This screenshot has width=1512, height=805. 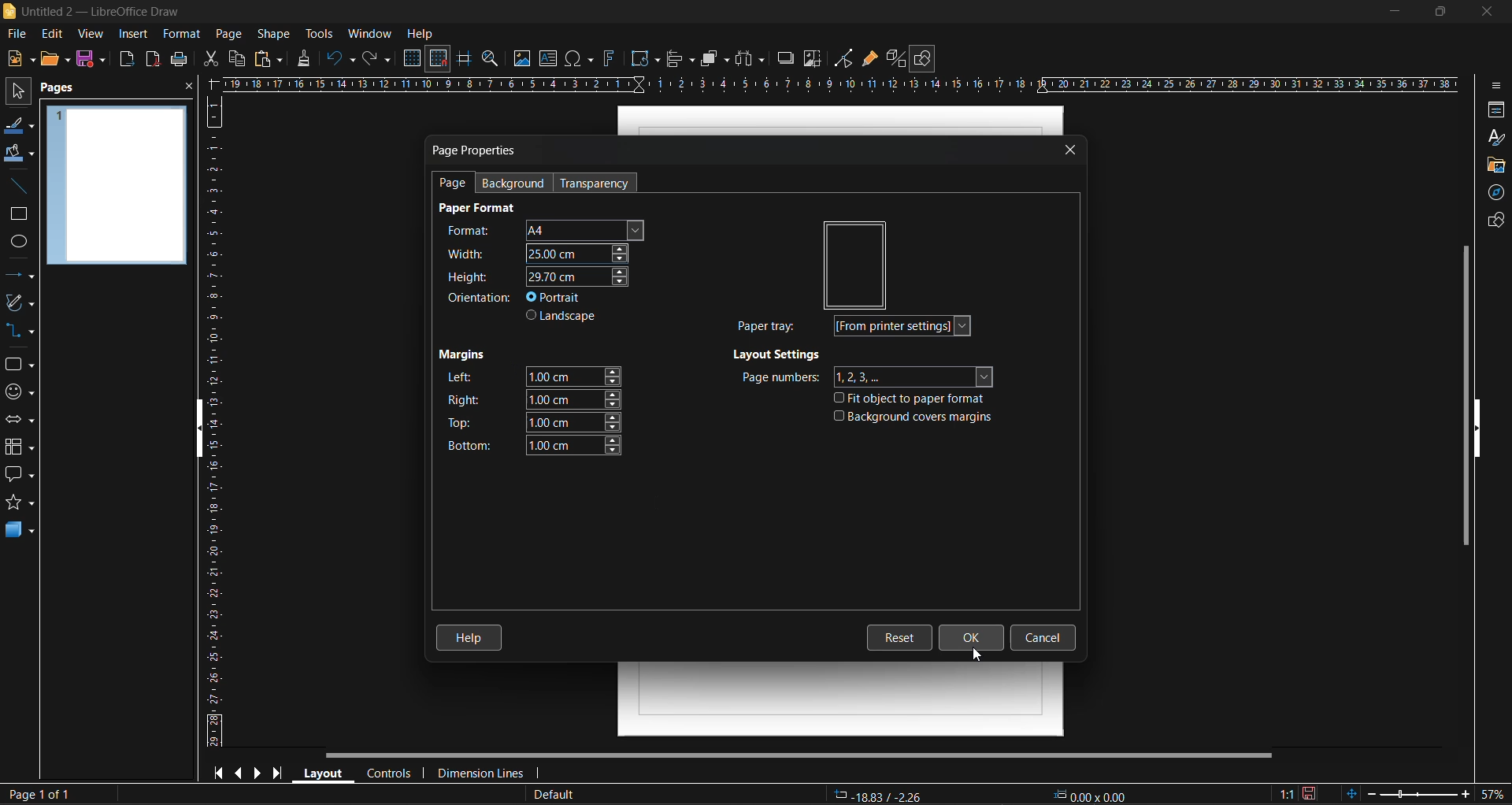 I want to click on horizontal ruler, so click(x=845, y=83).